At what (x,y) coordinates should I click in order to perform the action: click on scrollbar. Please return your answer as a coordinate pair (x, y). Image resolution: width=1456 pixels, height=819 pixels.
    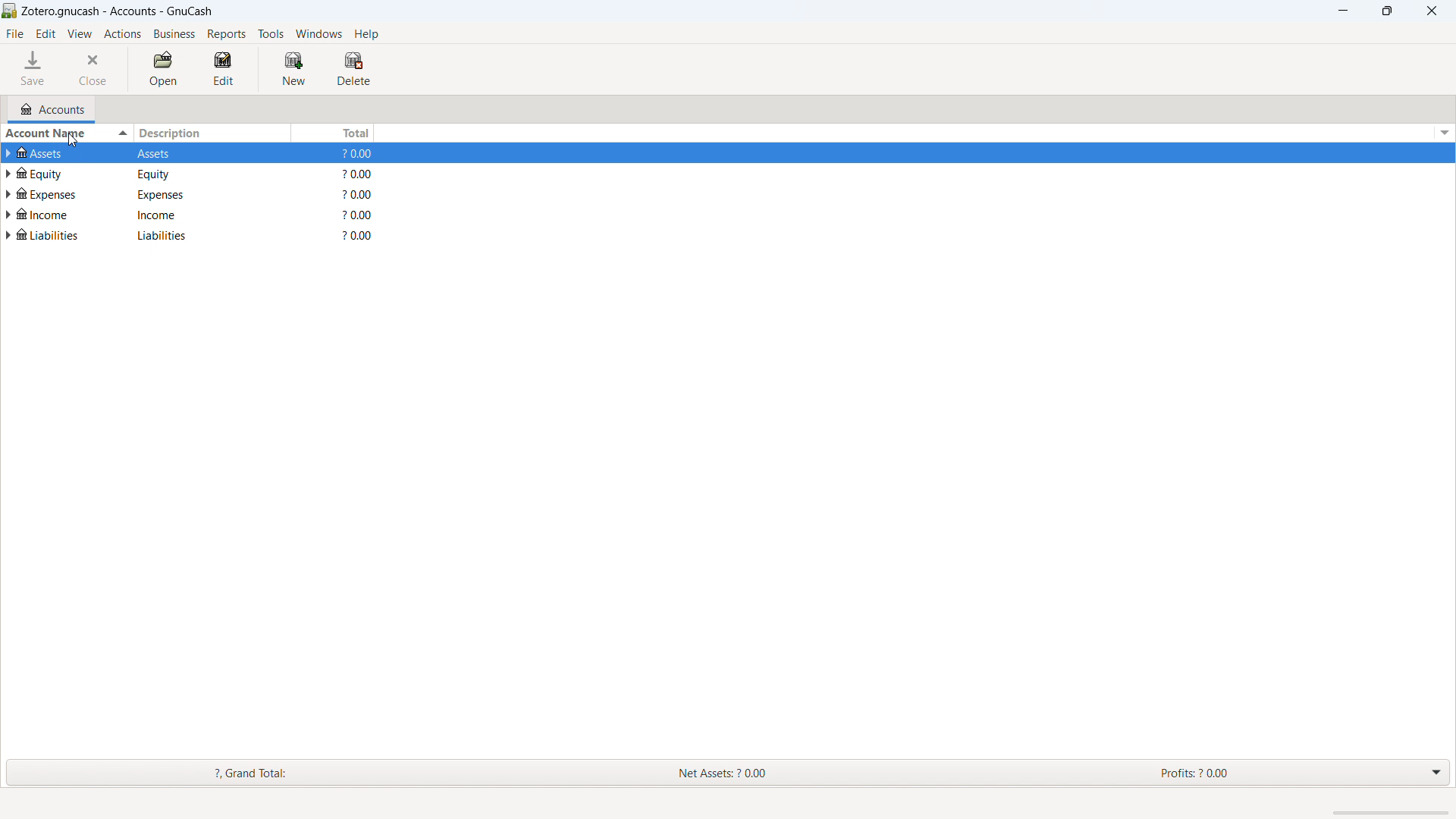
    Looking at the image, I should click on (1390, 813).